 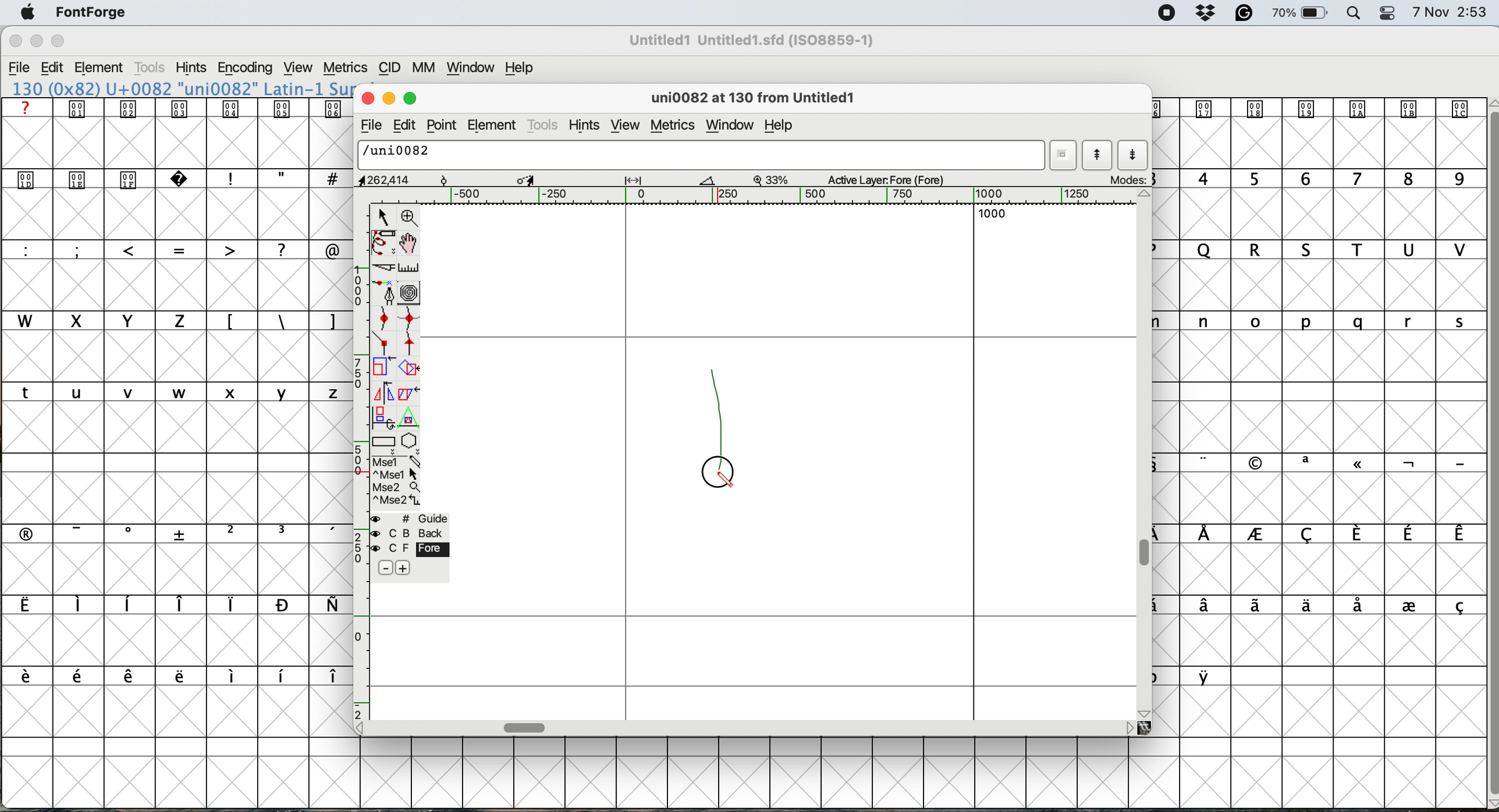 What do you see at coordinates (411, 99) in the screenshot?
I see `maximise` at bounding box center [411, 99].